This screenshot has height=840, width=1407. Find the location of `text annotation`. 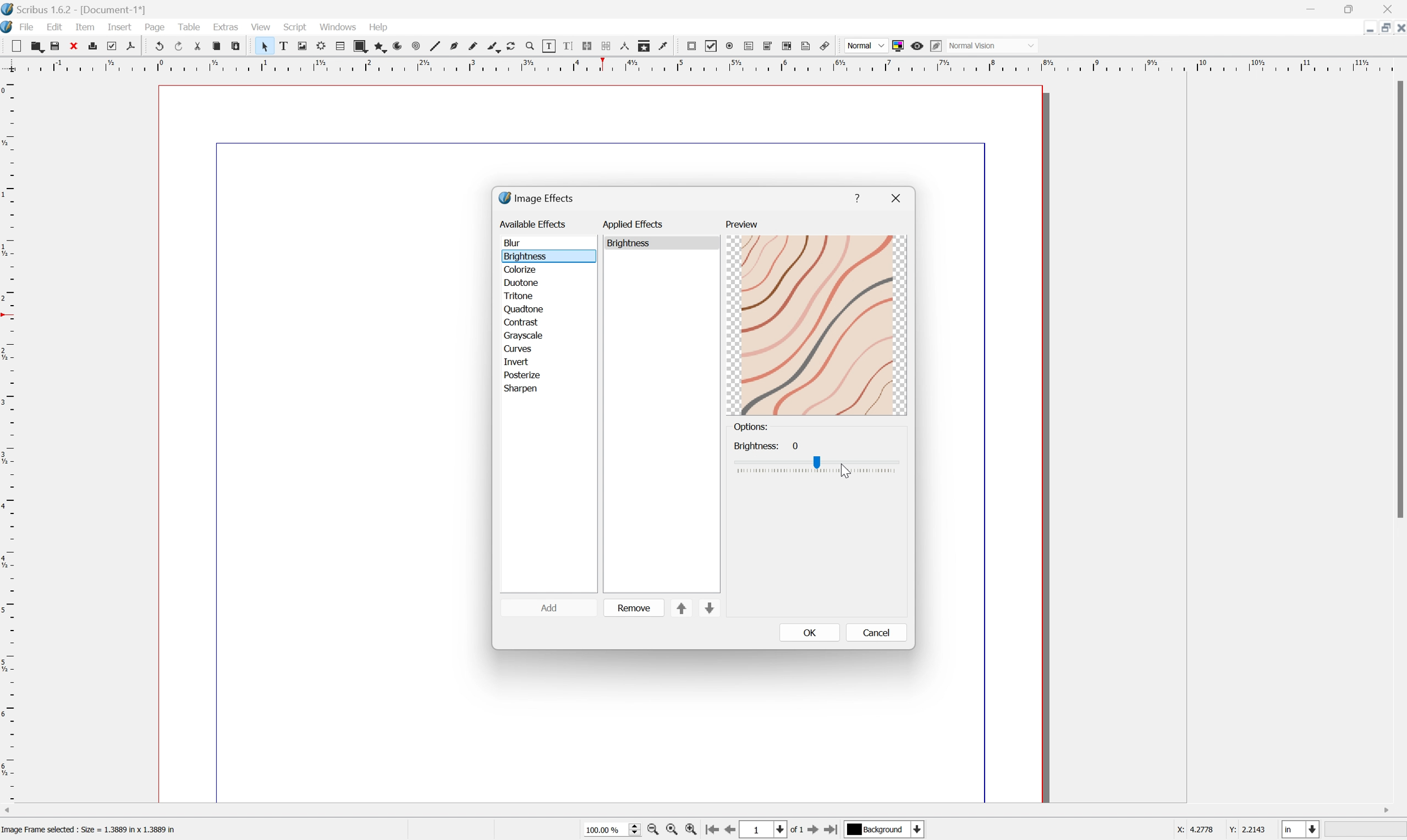

text annotation is located at coordinates (807, 46).